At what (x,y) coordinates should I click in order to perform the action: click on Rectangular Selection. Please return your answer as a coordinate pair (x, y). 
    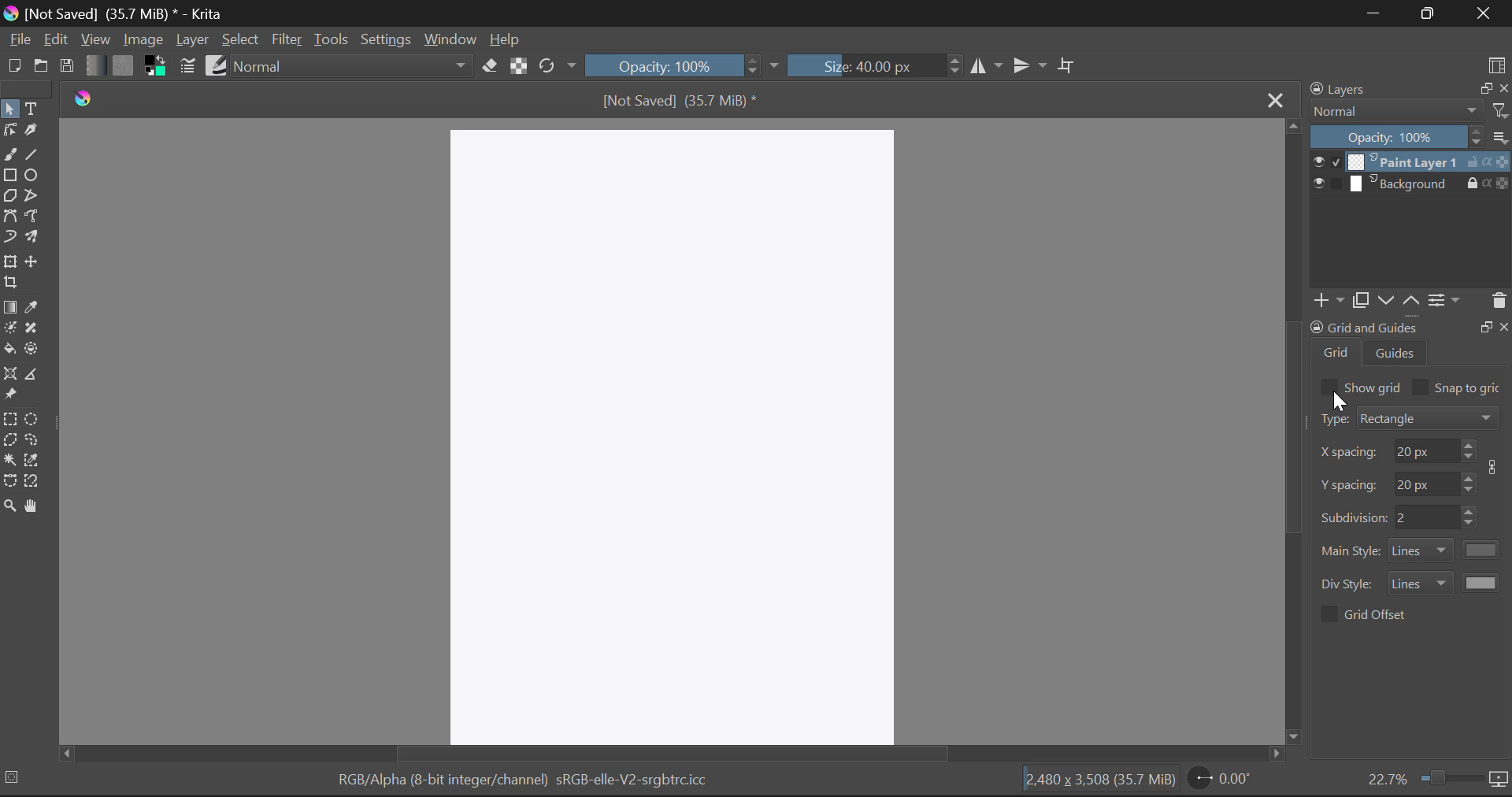
    Looking at the image, I should click on (11, 421).